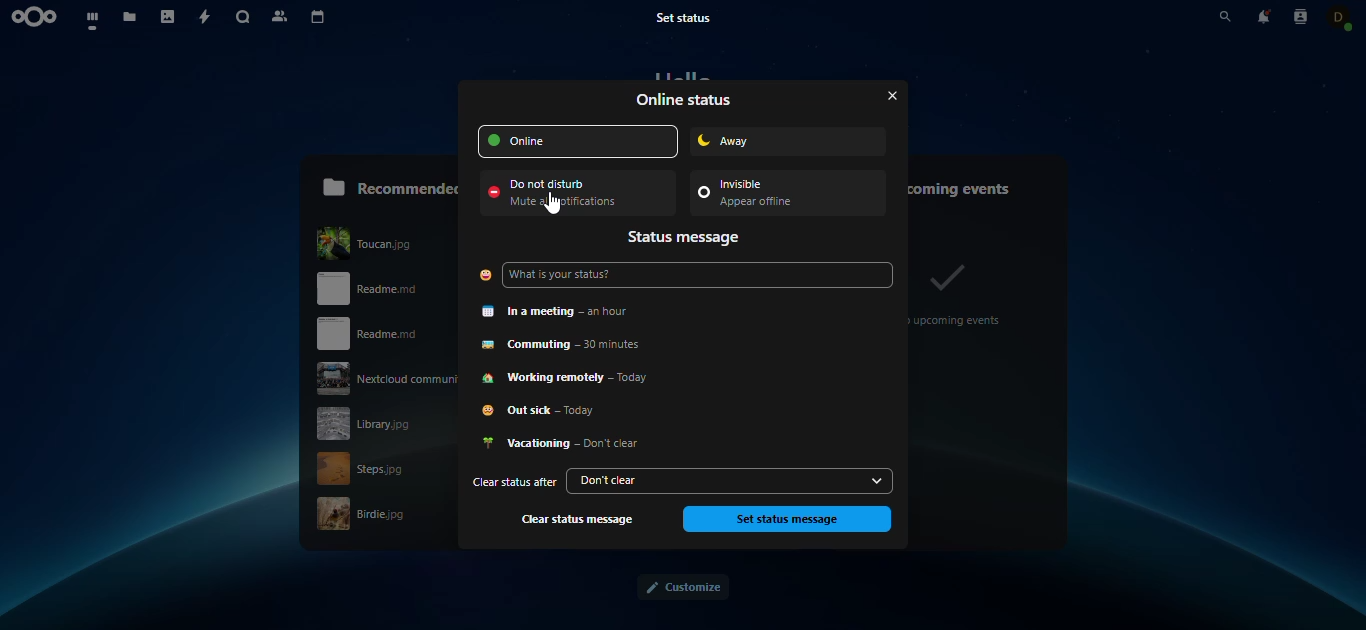 Image resolution: width=1366 pixels, height=630 pixels. What do you see at coordinates (575, 378) in the screenshot?
I see `working remotely` at bounding box center [575, 378].